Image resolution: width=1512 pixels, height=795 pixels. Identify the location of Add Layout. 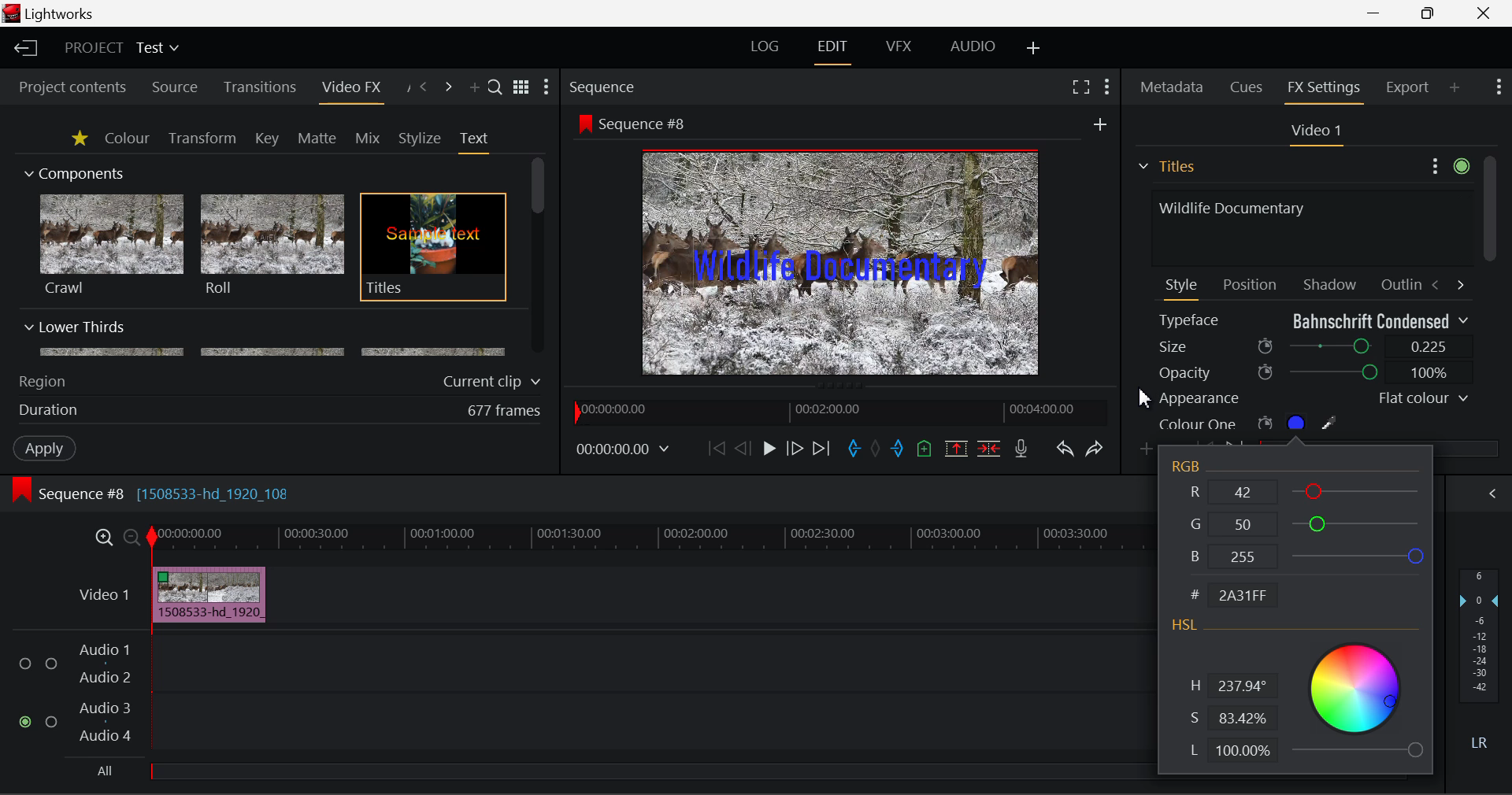
(1036, 50).